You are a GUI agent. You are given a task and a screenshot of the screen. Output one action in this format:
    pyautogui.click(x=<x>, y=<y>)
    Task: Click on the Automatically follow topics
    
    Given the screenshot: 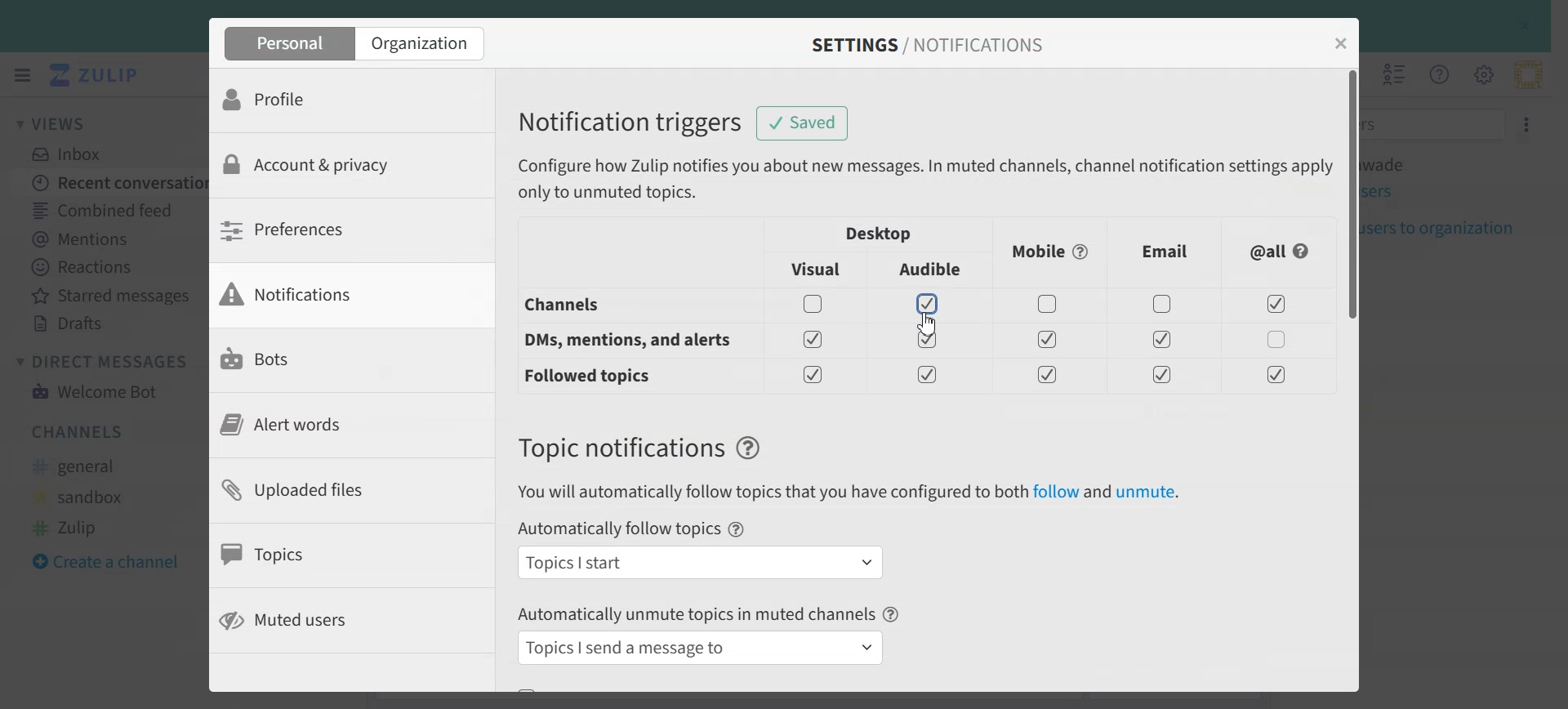 What is the action you would take?
    pyautogui.click(x=617, y=529)
    